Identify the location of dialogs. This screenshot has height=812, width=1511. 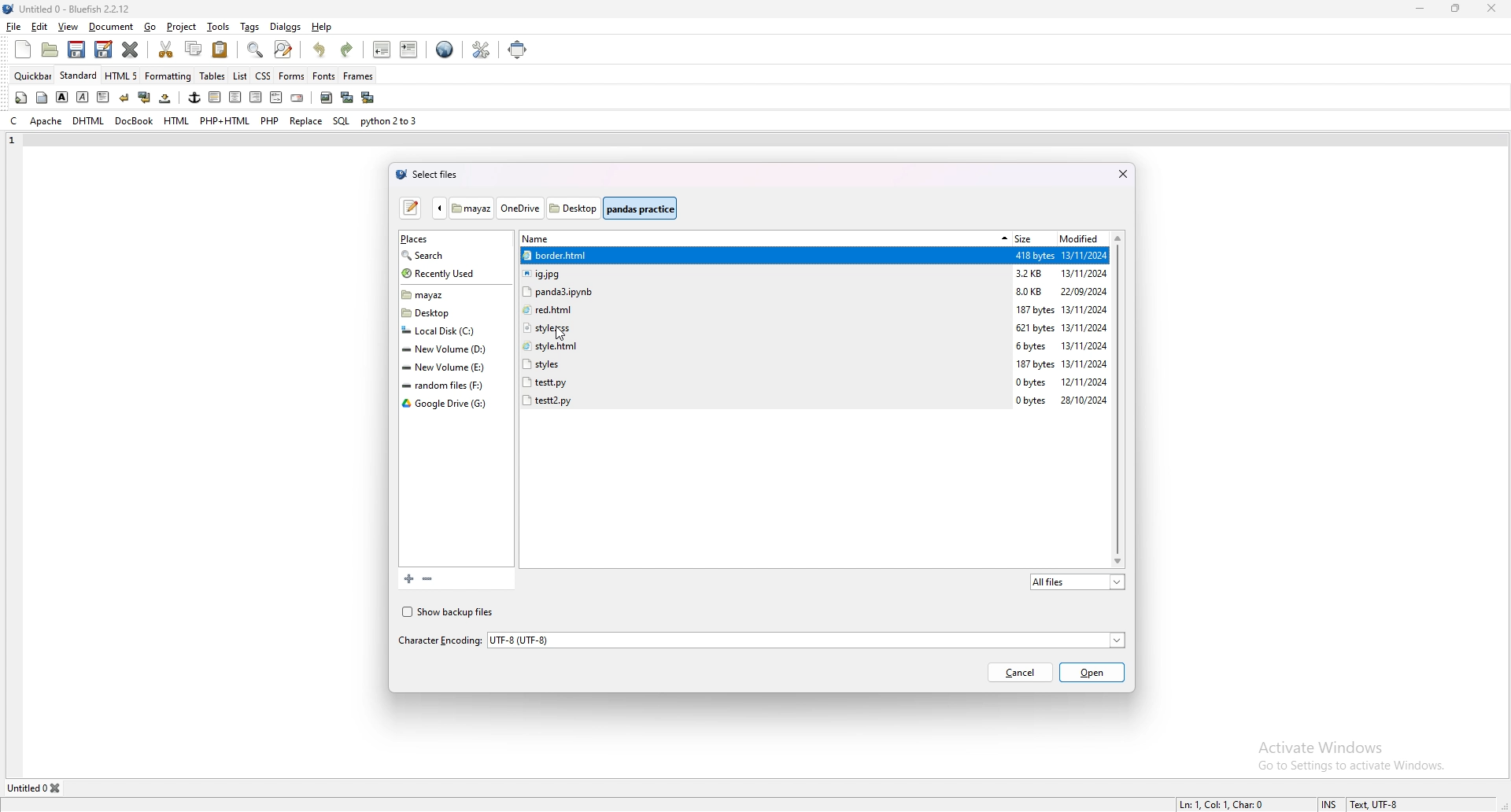
(285, 28).